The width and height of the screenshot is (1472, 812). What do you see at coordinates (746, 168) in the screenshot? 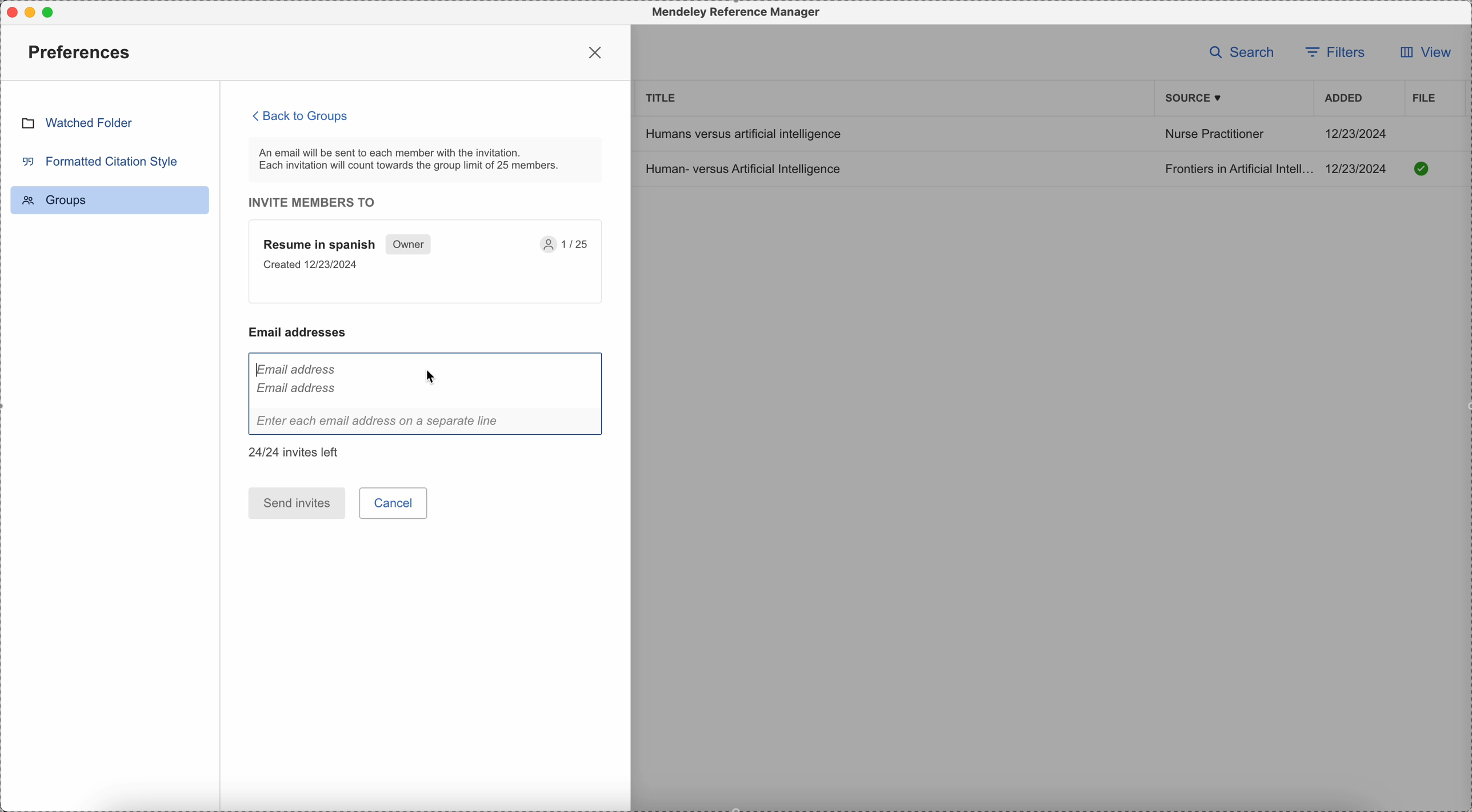
I see `Human- versus Artificial Intelligence` at bounding box center [746, 168].